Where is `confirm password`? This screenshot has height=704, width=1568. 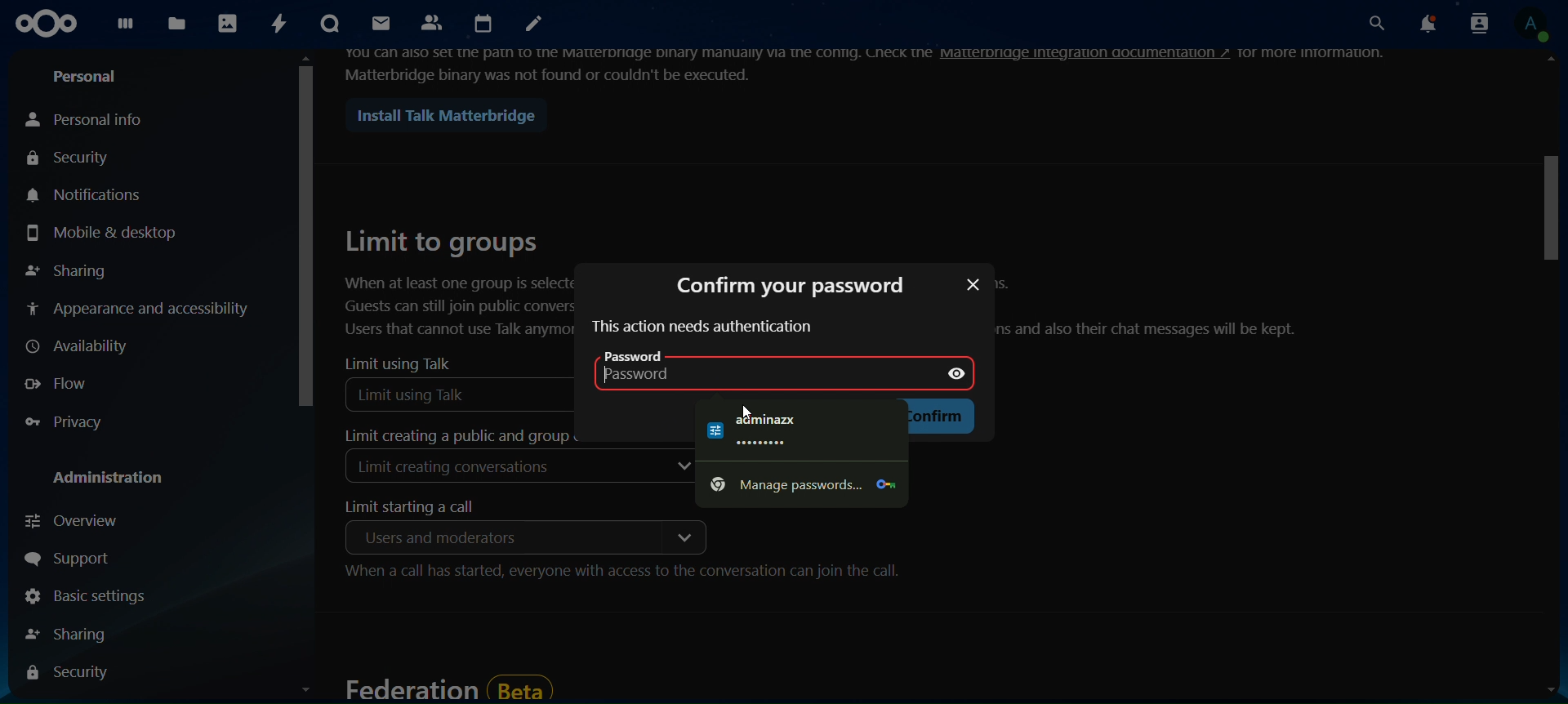
confirm password is located at coordinates (786, 283).